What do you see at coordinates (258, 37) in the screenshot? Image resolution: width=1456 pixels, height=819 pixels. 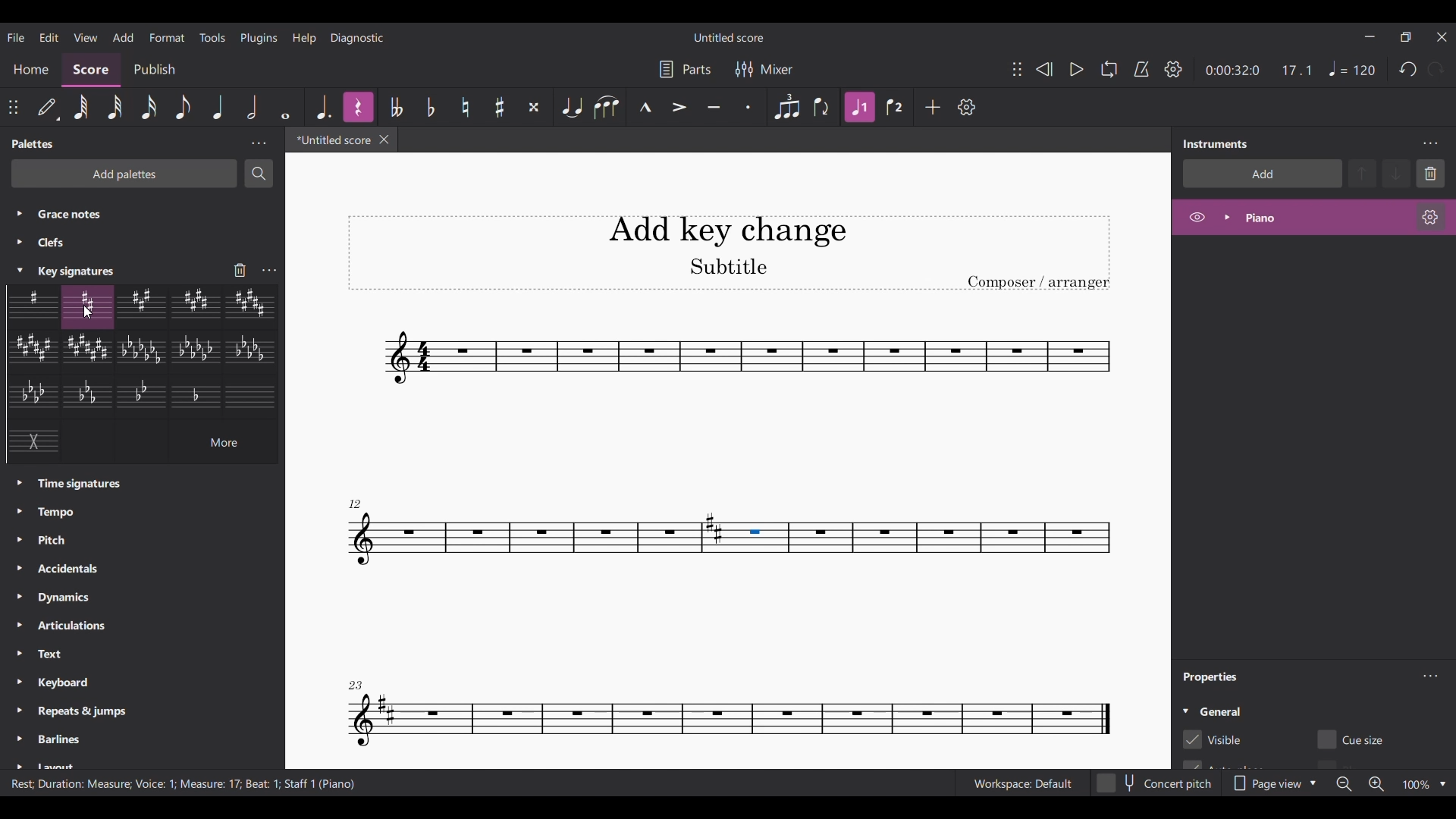 I see `Plugins menu` at bounding box center [258, 37].